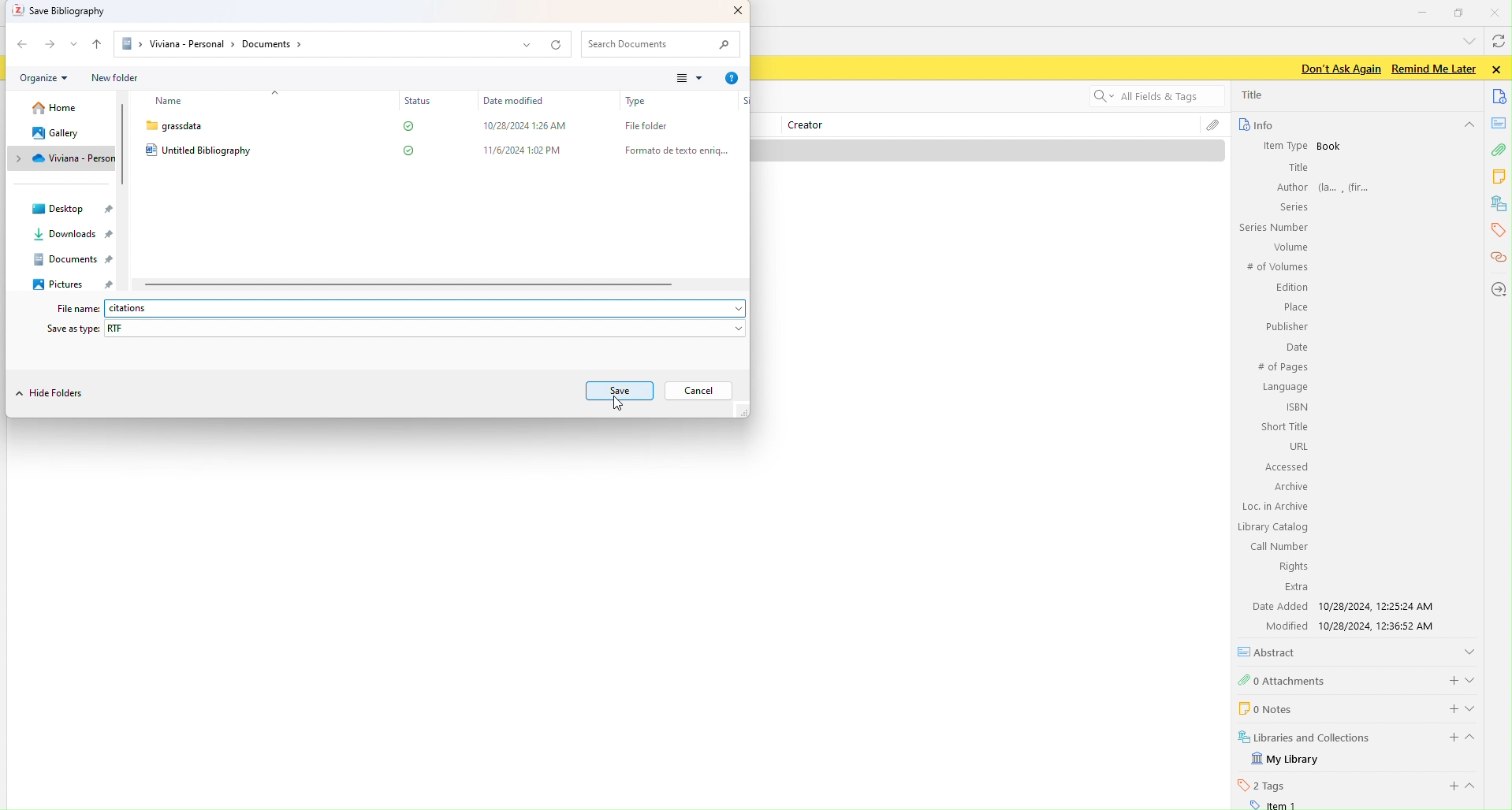 This screenshot has width=1512, height=810. What do you see at coordinates (1254, 95) in the screenshot?
I see `Title` at bounding box center [1254, 95].